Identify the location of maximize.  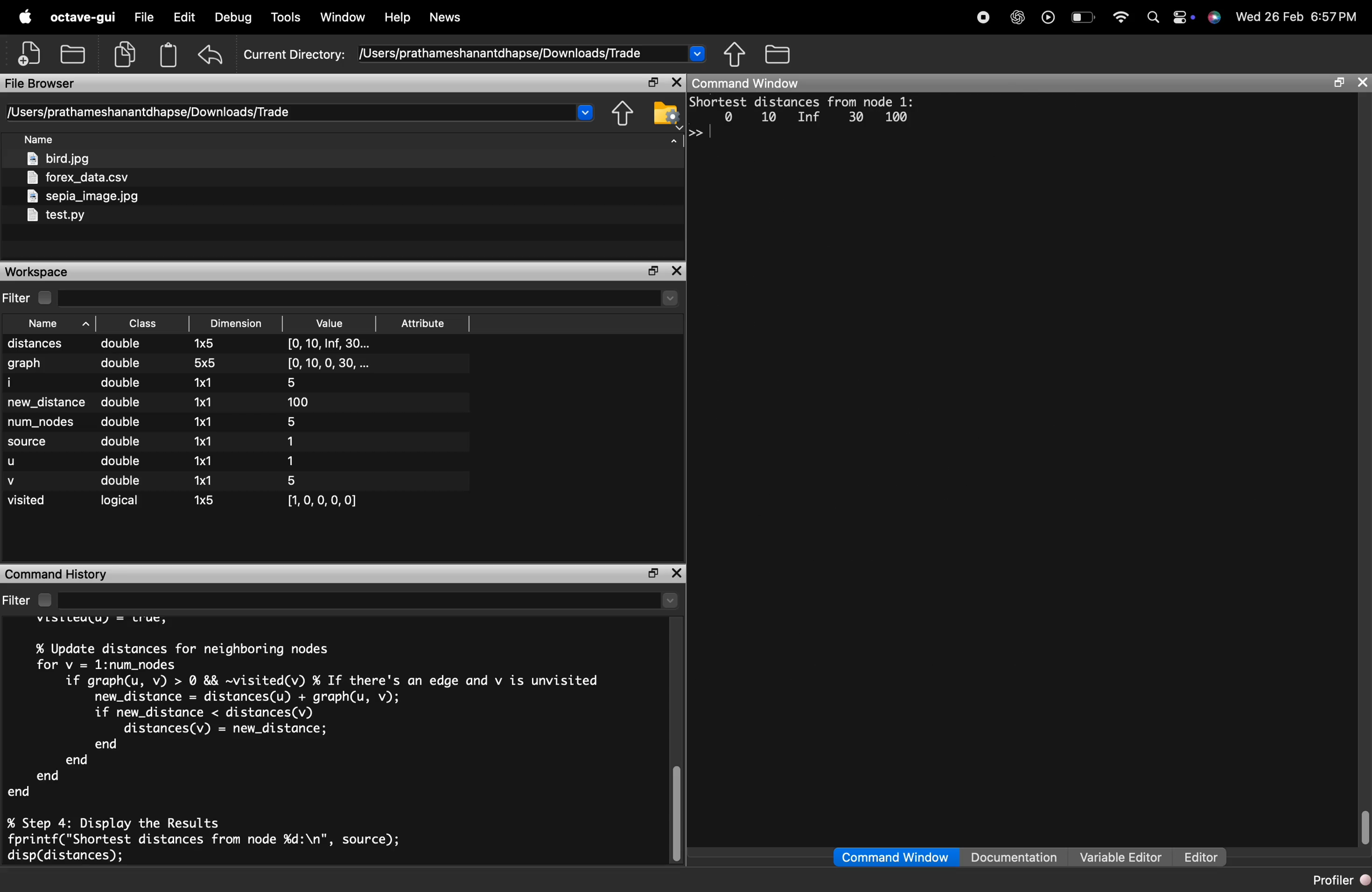
(651, 83).